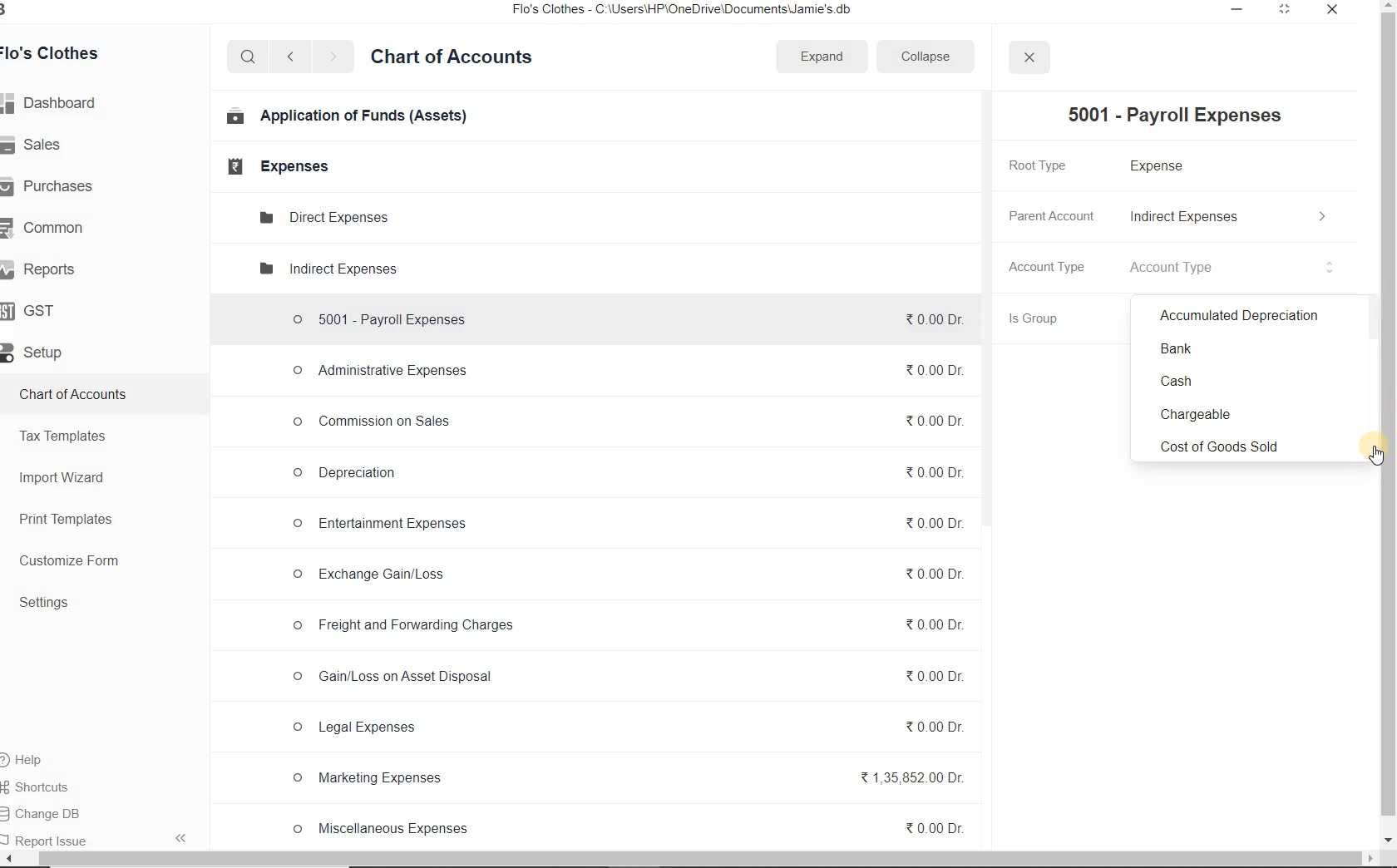 This screenshot has width=1397, height=868. Describe the element at coordinates (629, 421) in the screenshot. I see `oO Commission on Sales % 0.00 Dr.` at that location.